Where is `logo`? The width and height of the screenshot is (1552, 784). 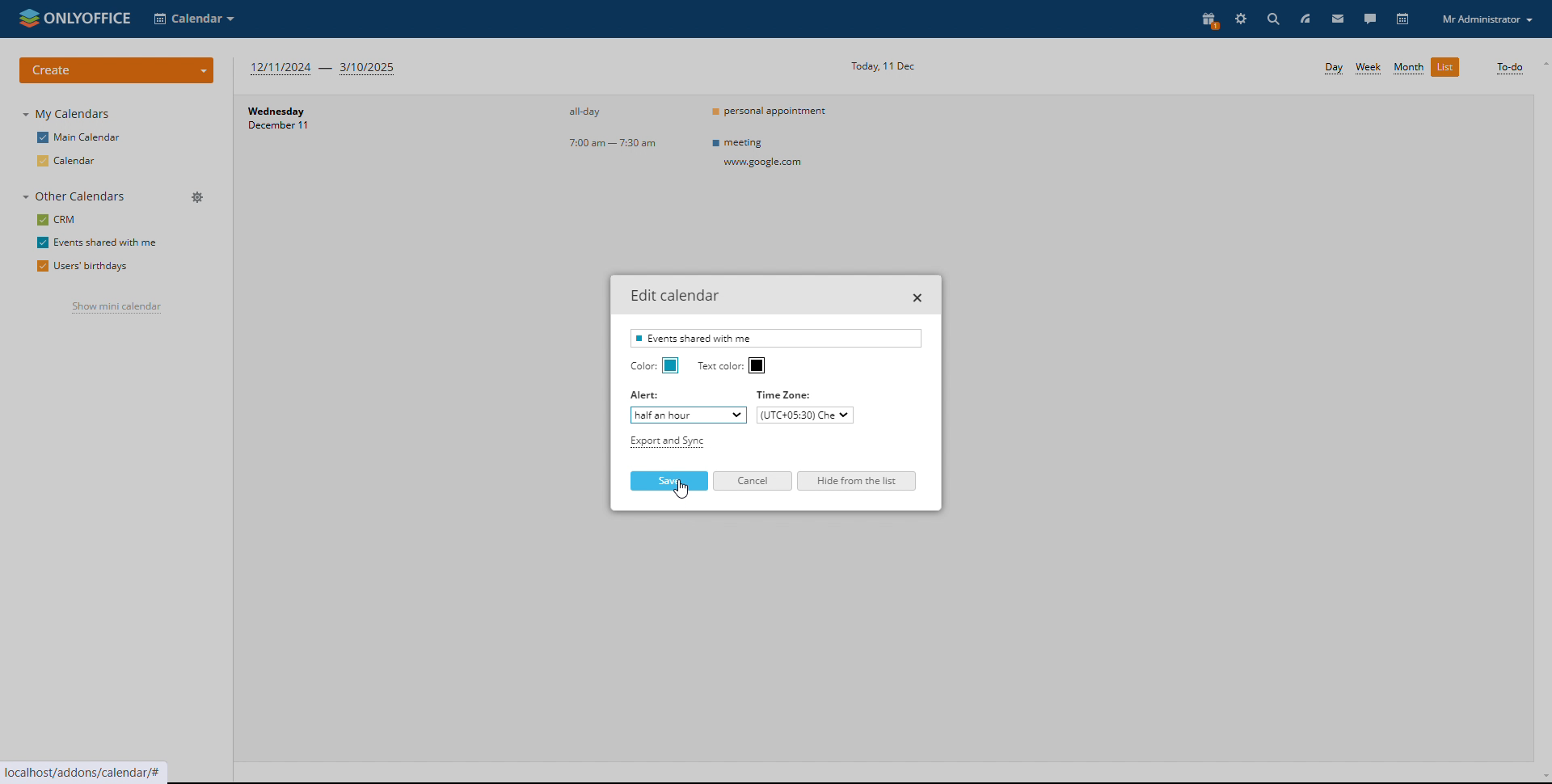
logo is located at coordinates (72, 19).